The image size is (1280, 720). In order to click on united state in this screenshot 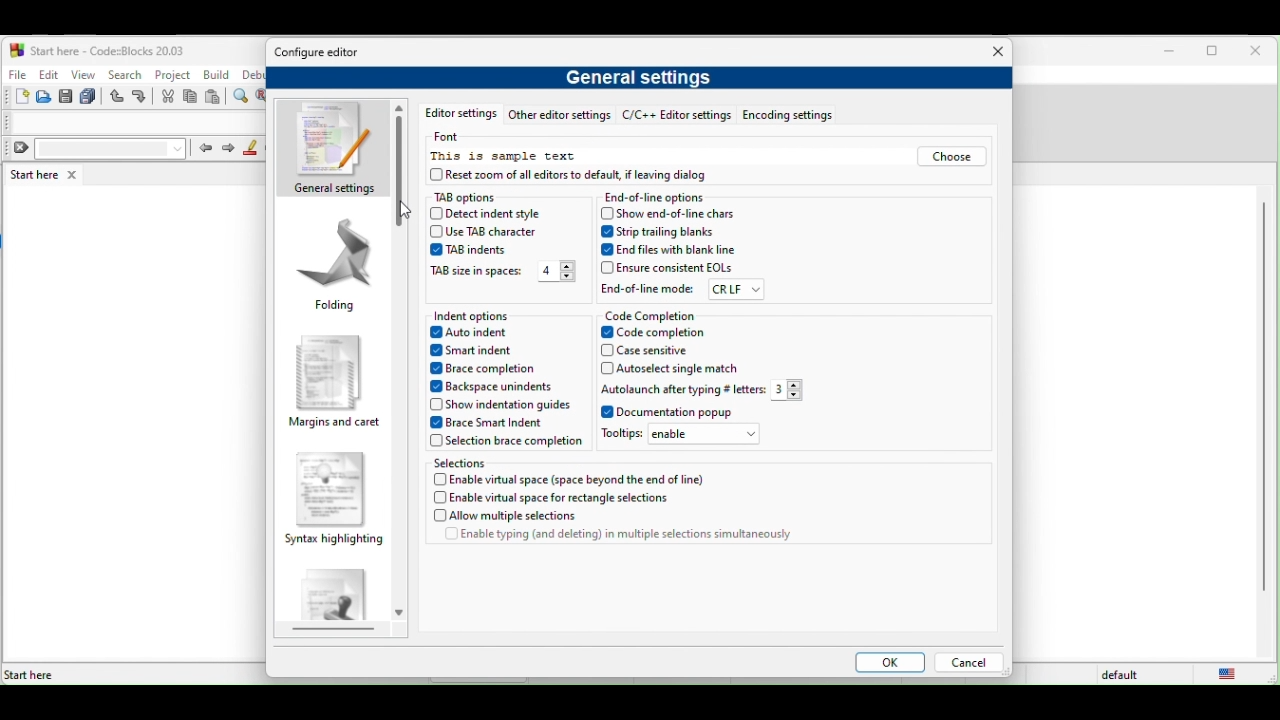, I will do `click(1232, 674)`.